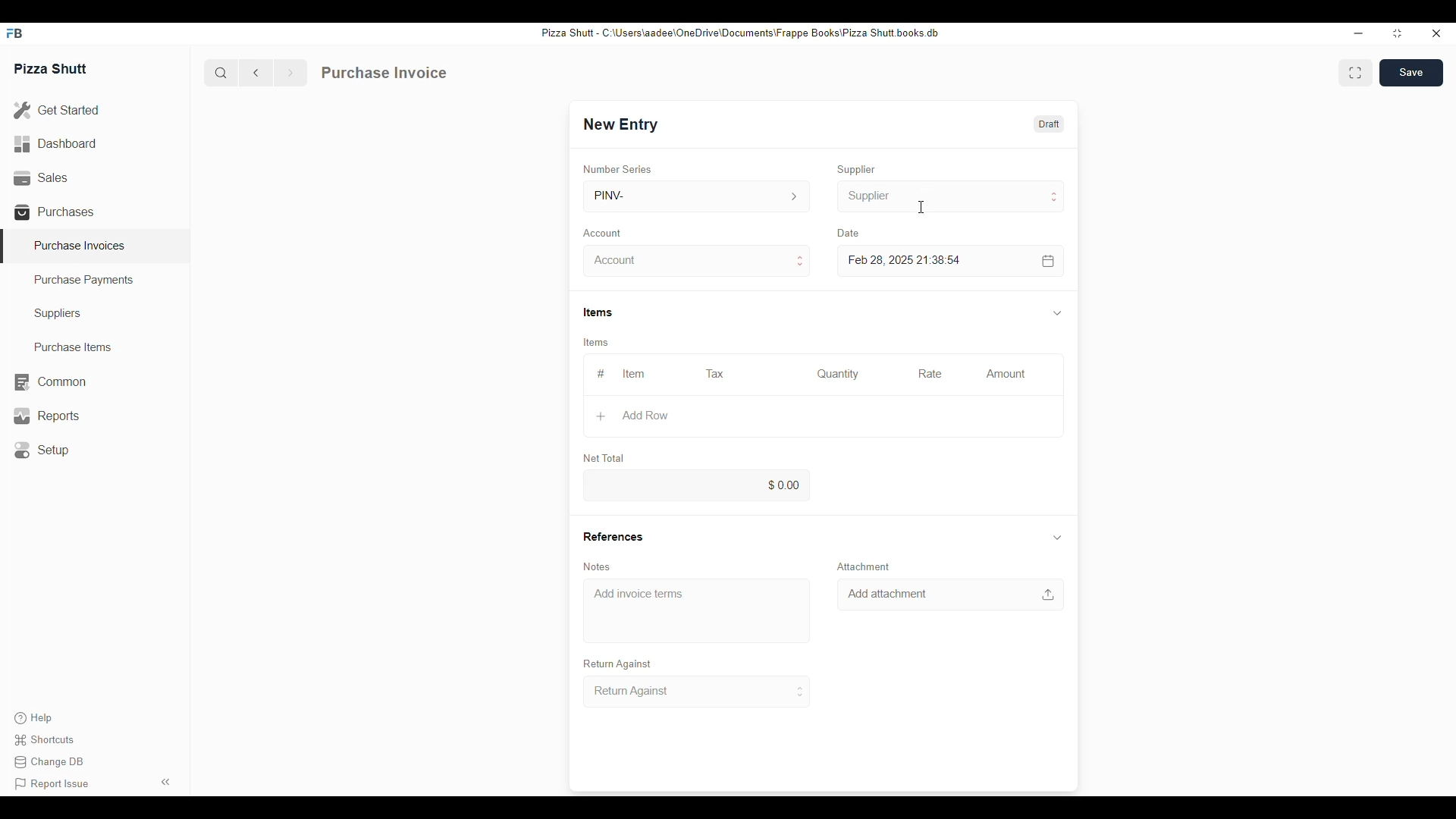 This screenshot has height=819, width=1456. What do you see at coordinates (951, 196) in the screenshot?
I see `Supplier` at bounding box center [951, 196].